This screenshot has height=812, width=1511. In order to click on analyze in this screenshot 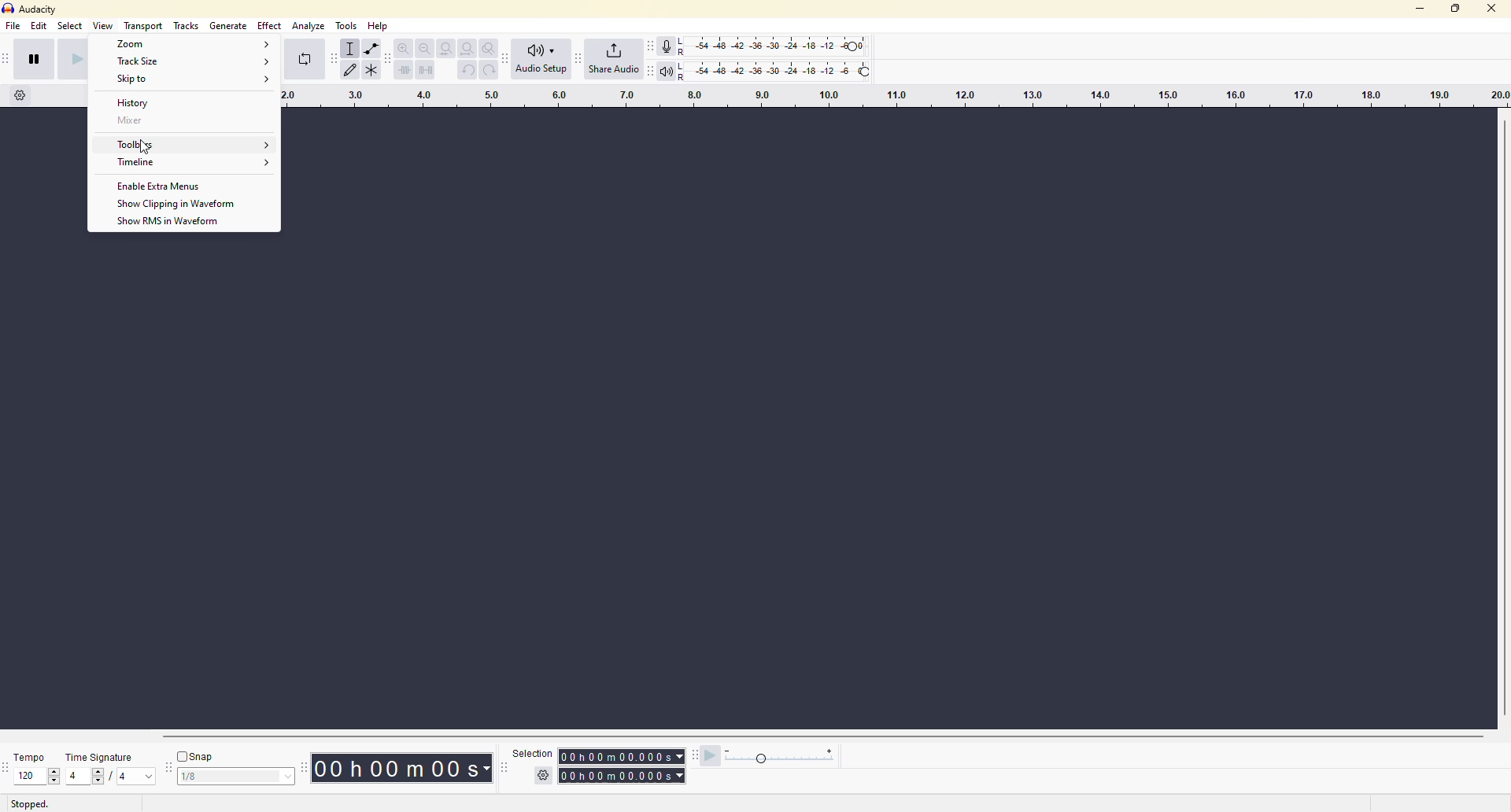, I will do `click(308, 26)`.